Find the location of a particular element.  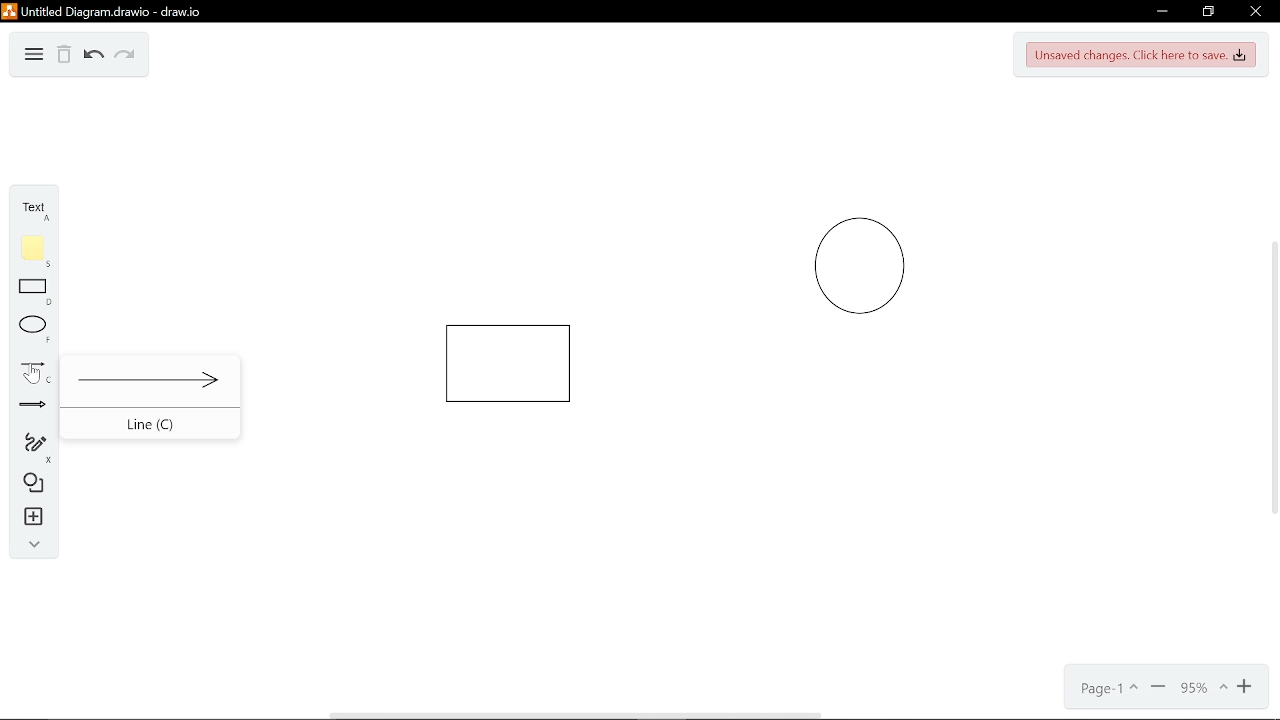

Minimize is located at coordinates (1162, 11).